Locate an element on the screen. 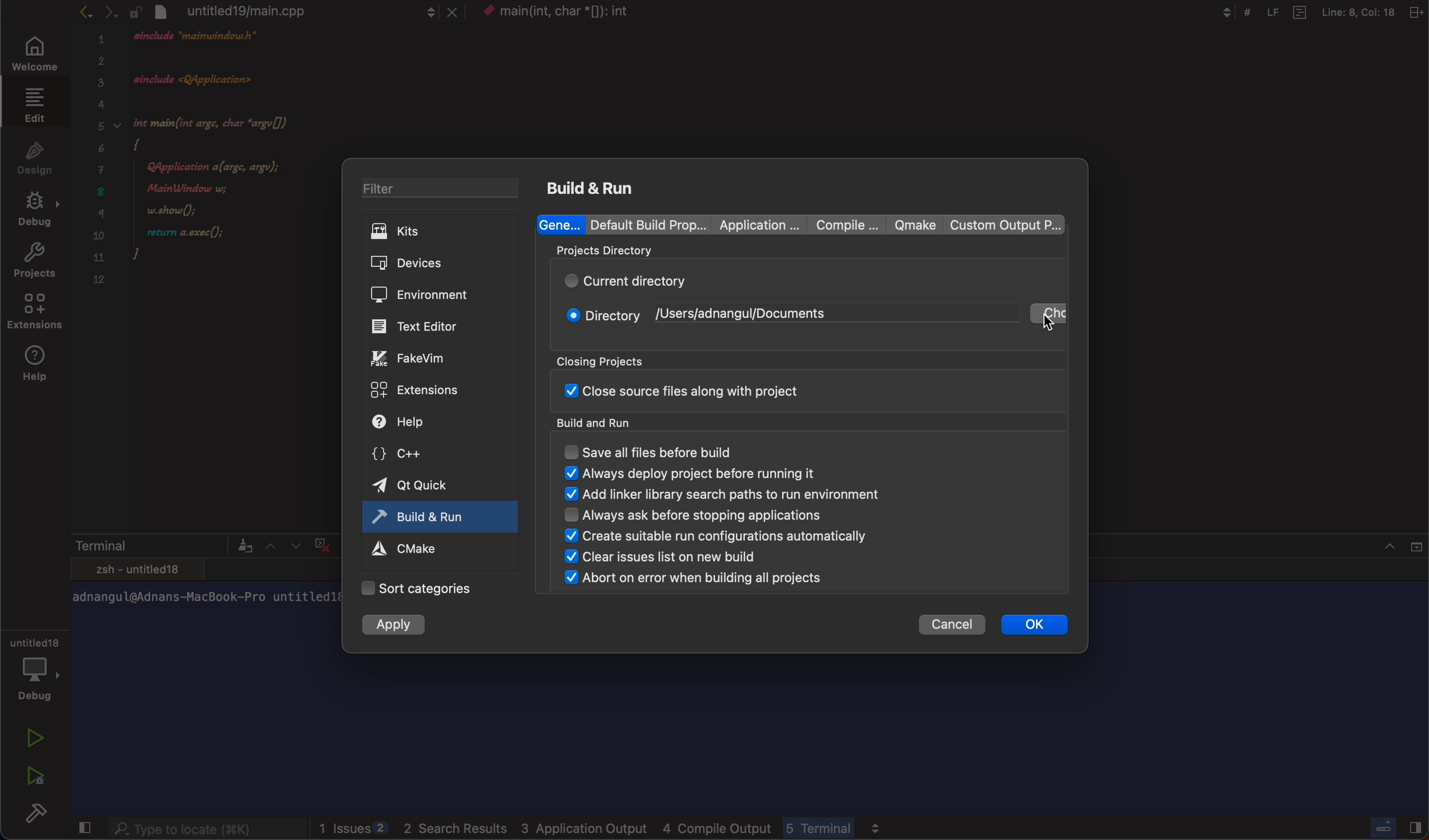 Image resolution: width=1429 pixels, height=840 pixels. extensions is located at coordinates (419, 391).